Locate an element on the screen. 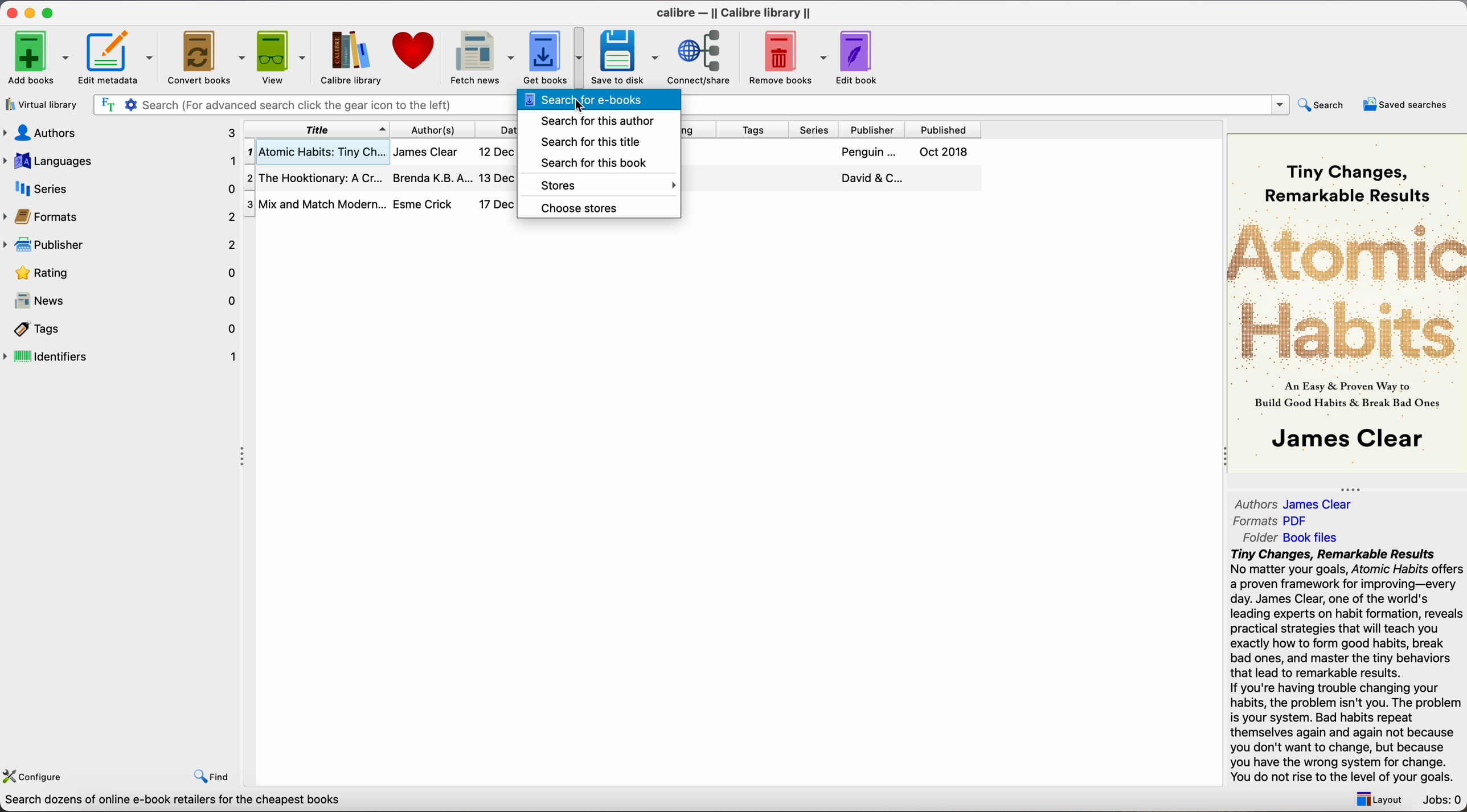 The width and height of the screenshot is (1467, 812). formats is located at coordinates (121, 216).